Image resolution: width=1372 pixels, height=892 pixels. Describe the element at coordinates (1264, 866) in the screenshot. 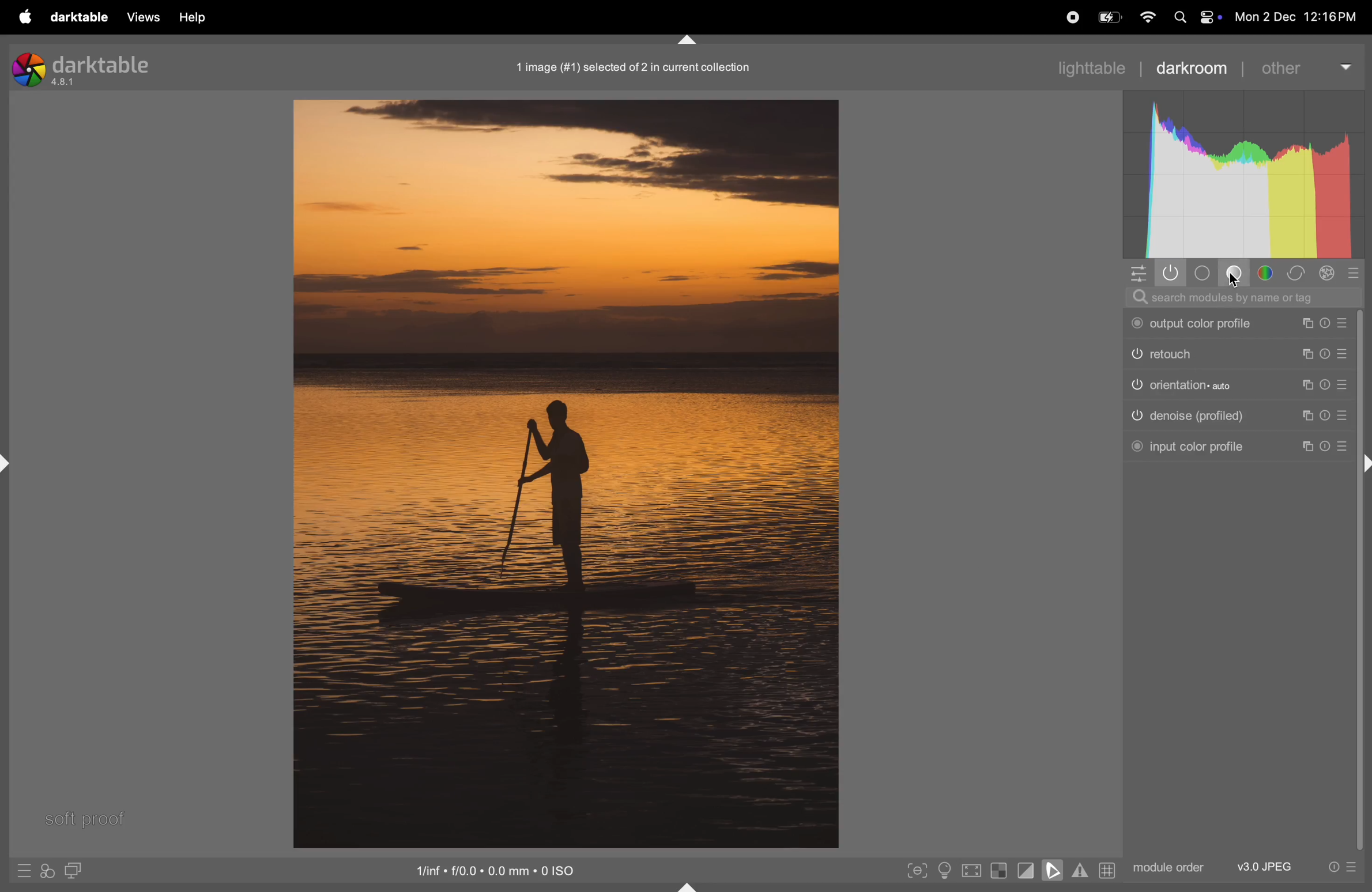

I see `v3 jpeg` at that location.